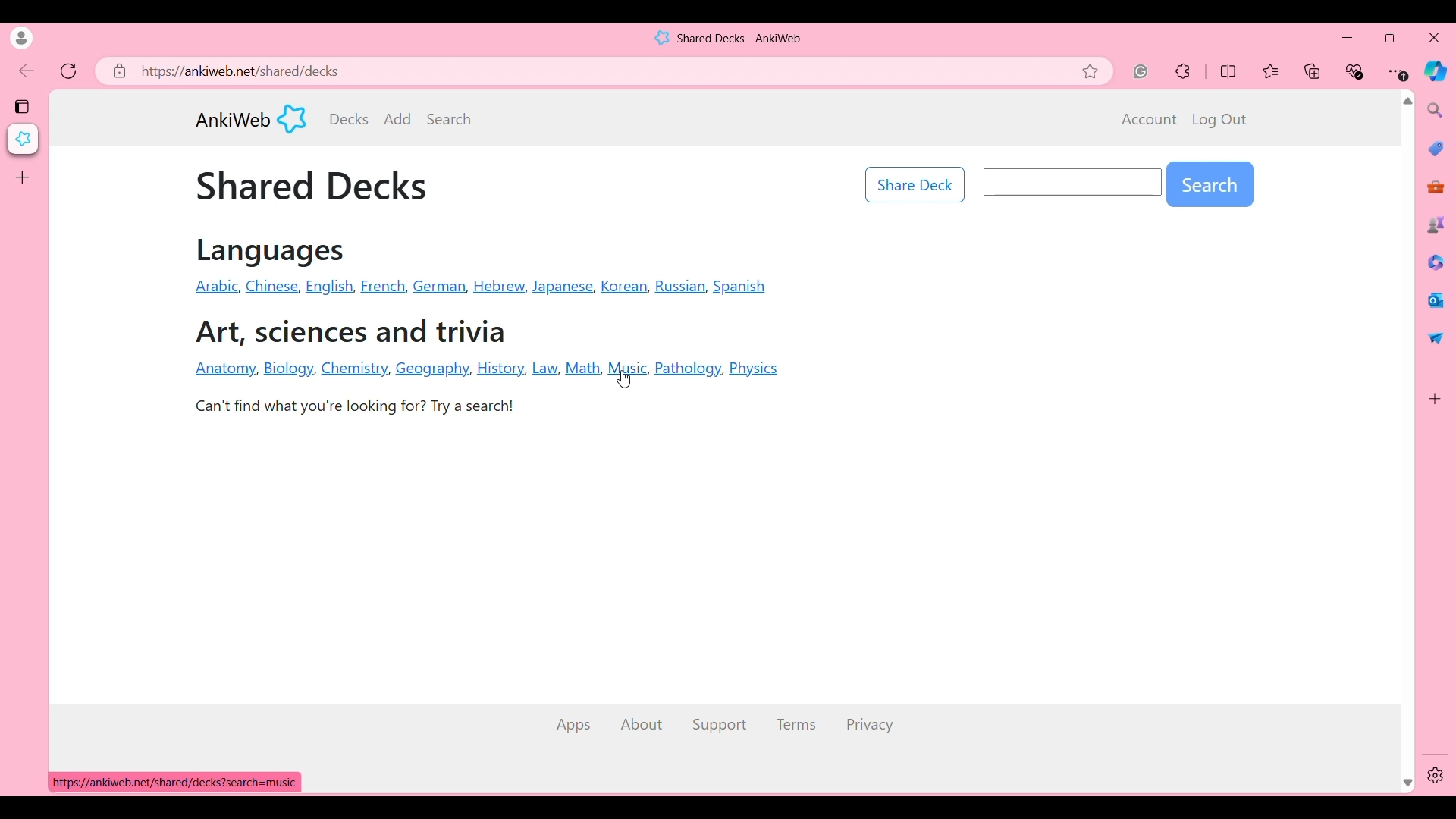 The height and width of the screenshot is (819, 1456). I want to click on Share Deck, so click(915, 185).